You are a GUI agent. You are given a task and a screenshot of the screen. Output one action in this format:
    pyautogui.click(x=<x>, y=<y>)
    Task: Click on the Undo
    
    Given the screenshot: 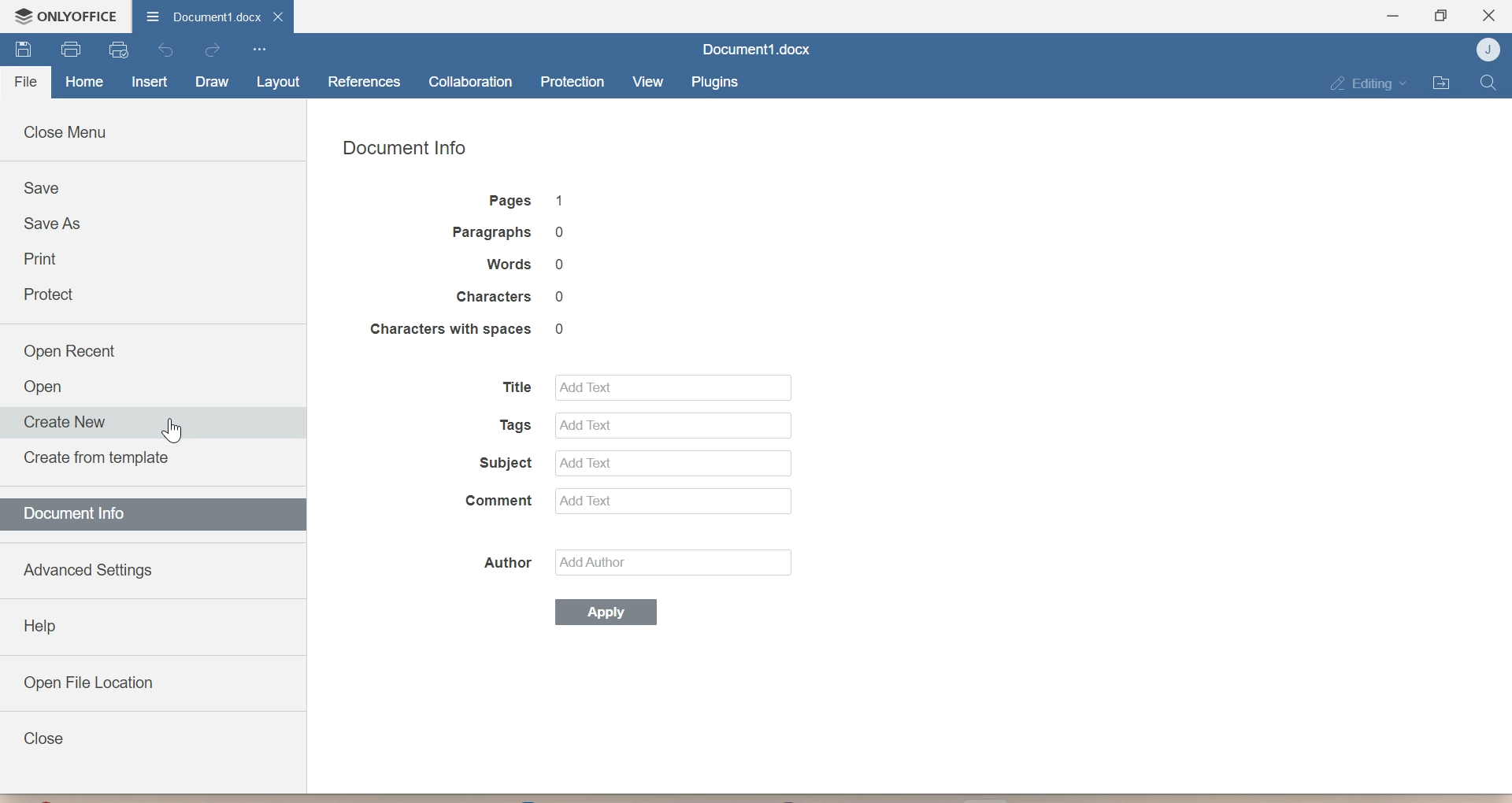 What is the action you would take?
    pyautogui.click(x=169, y=50)
    